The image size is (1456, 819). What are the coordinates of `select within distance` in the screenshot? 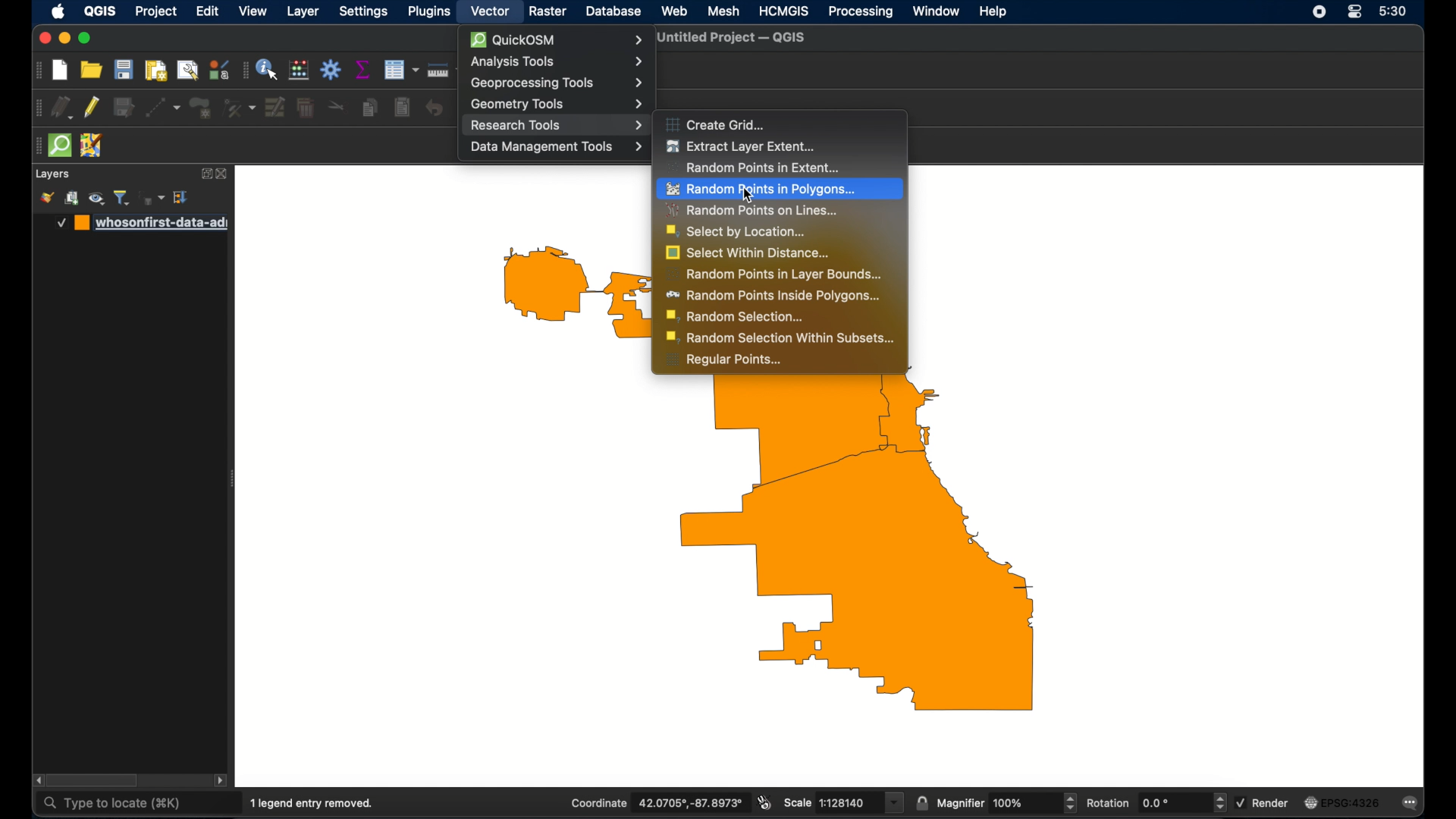 It's located at (748, 253).